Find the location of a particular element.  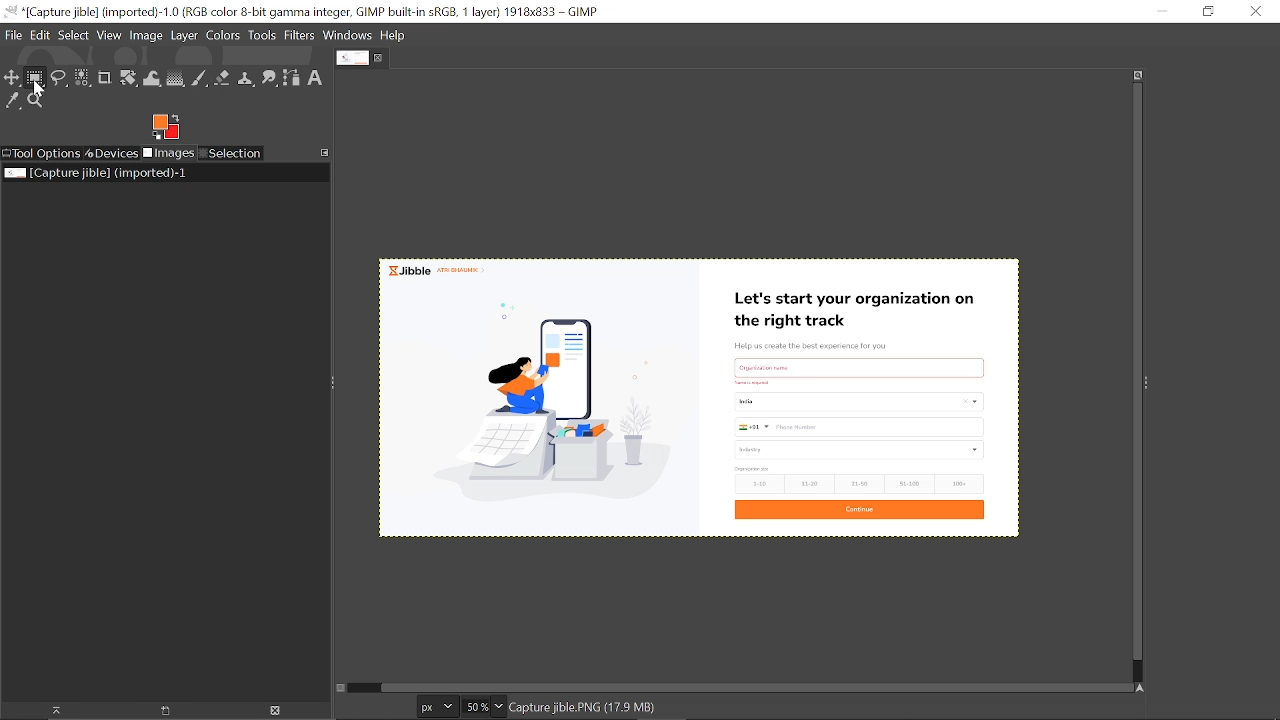

Sidebar menu is located at coordinates (1152, 384).